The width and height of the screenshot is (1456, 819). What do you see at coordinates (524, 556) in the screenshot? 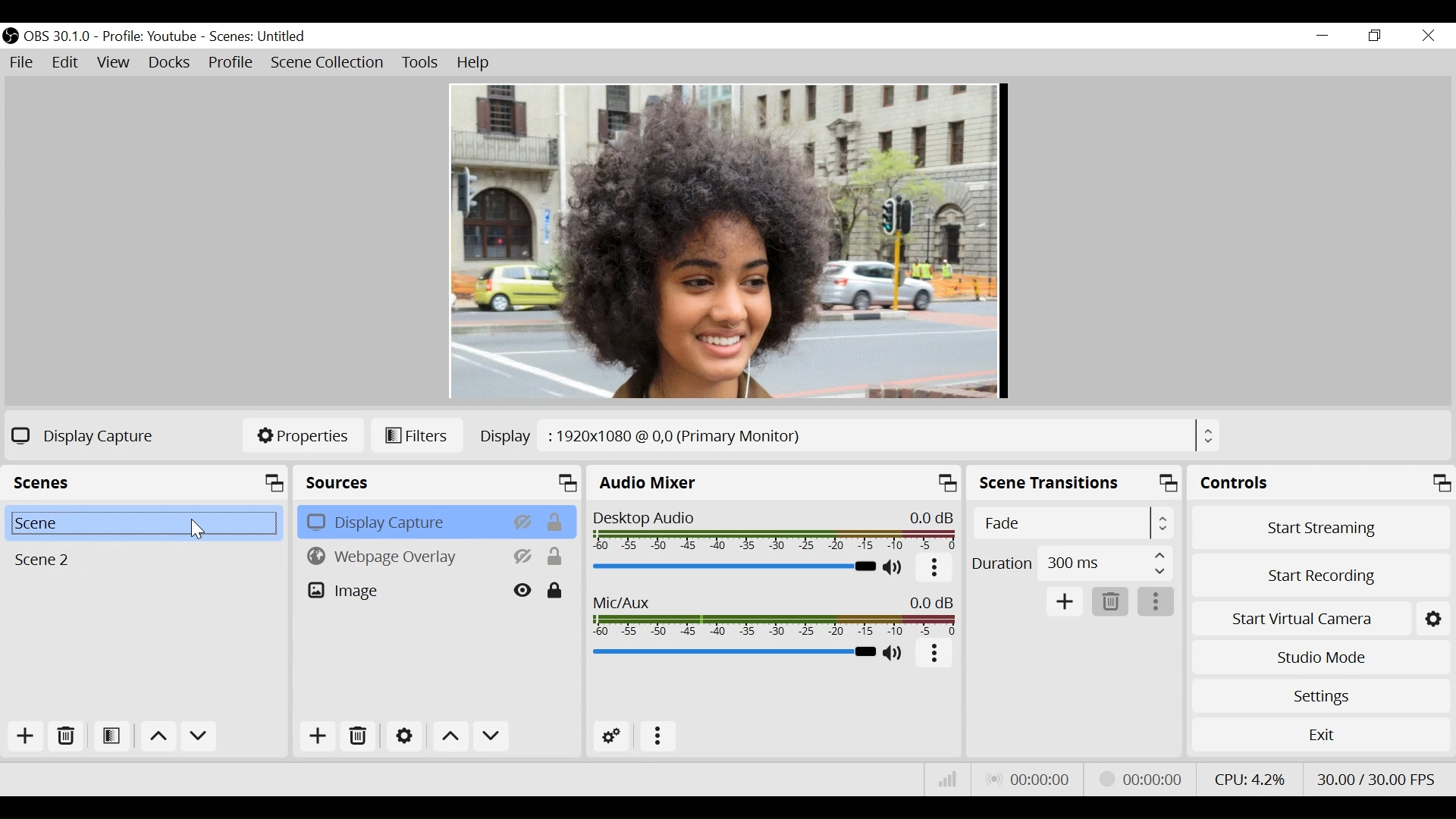
I see `HIde/Display` at bounding box center [524, 556].